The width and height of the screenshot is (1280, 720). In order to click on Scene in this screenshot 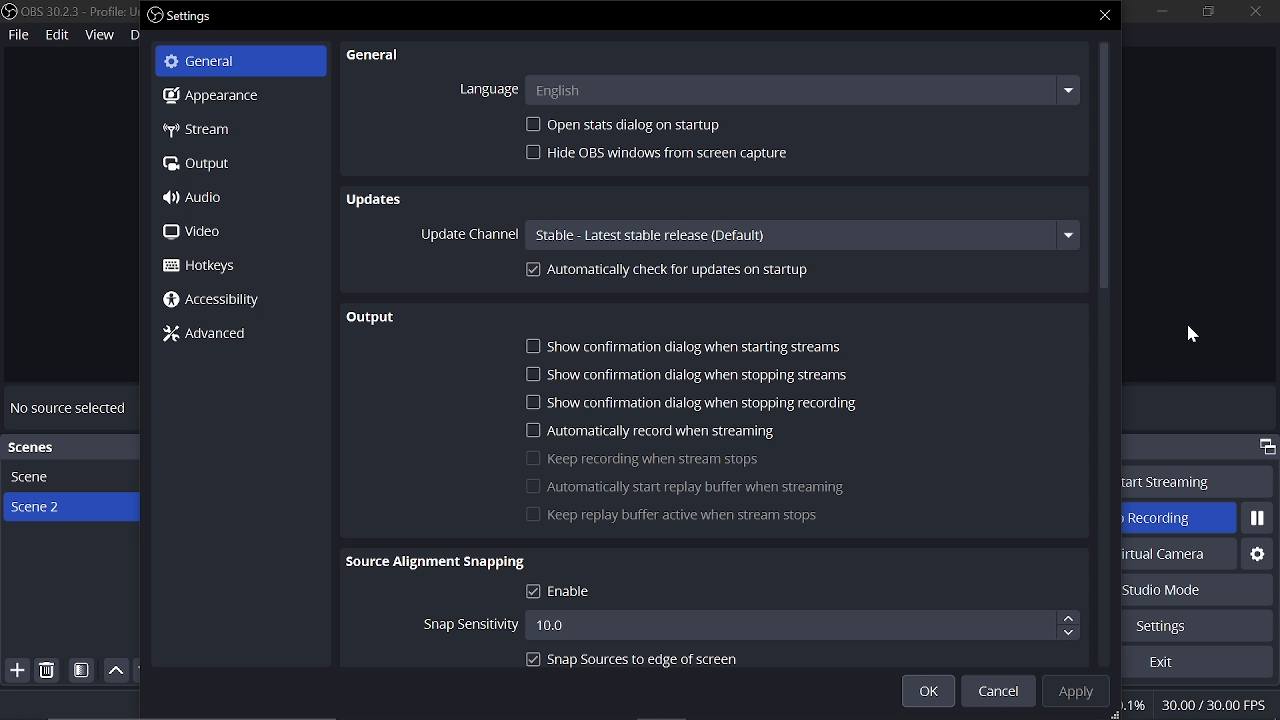, I will do `click(46, 477)`.